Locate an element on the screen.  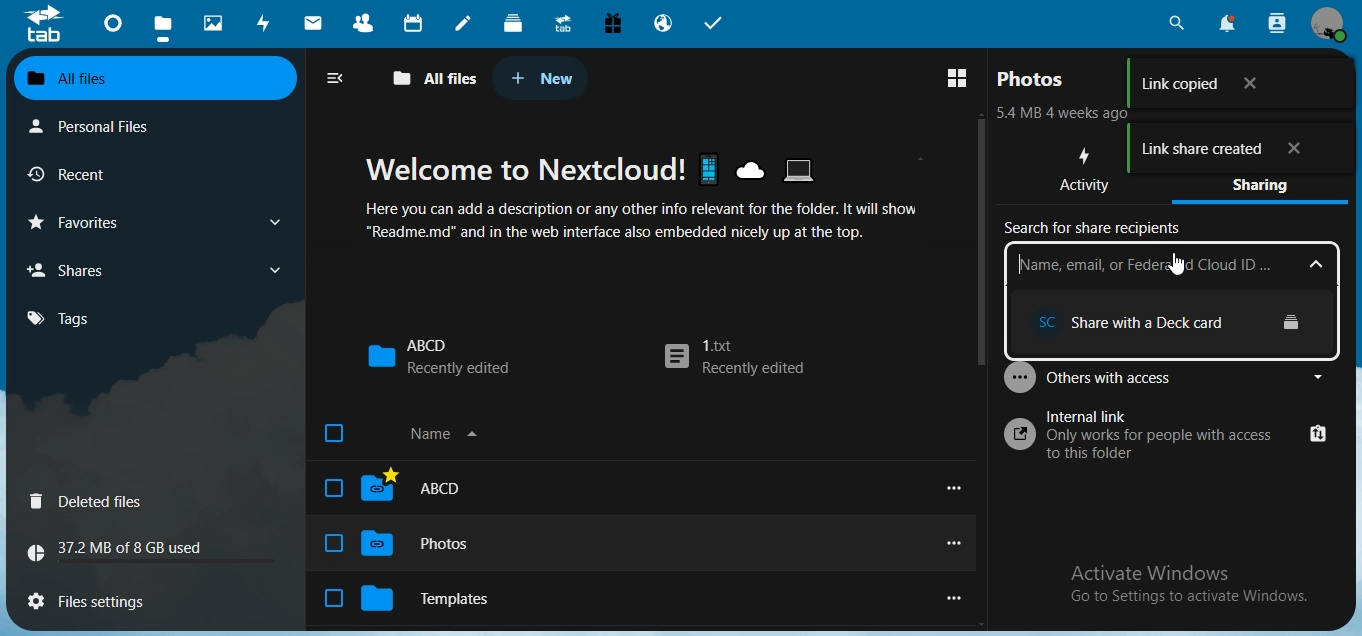
mail is located at coordinates (316, 25).